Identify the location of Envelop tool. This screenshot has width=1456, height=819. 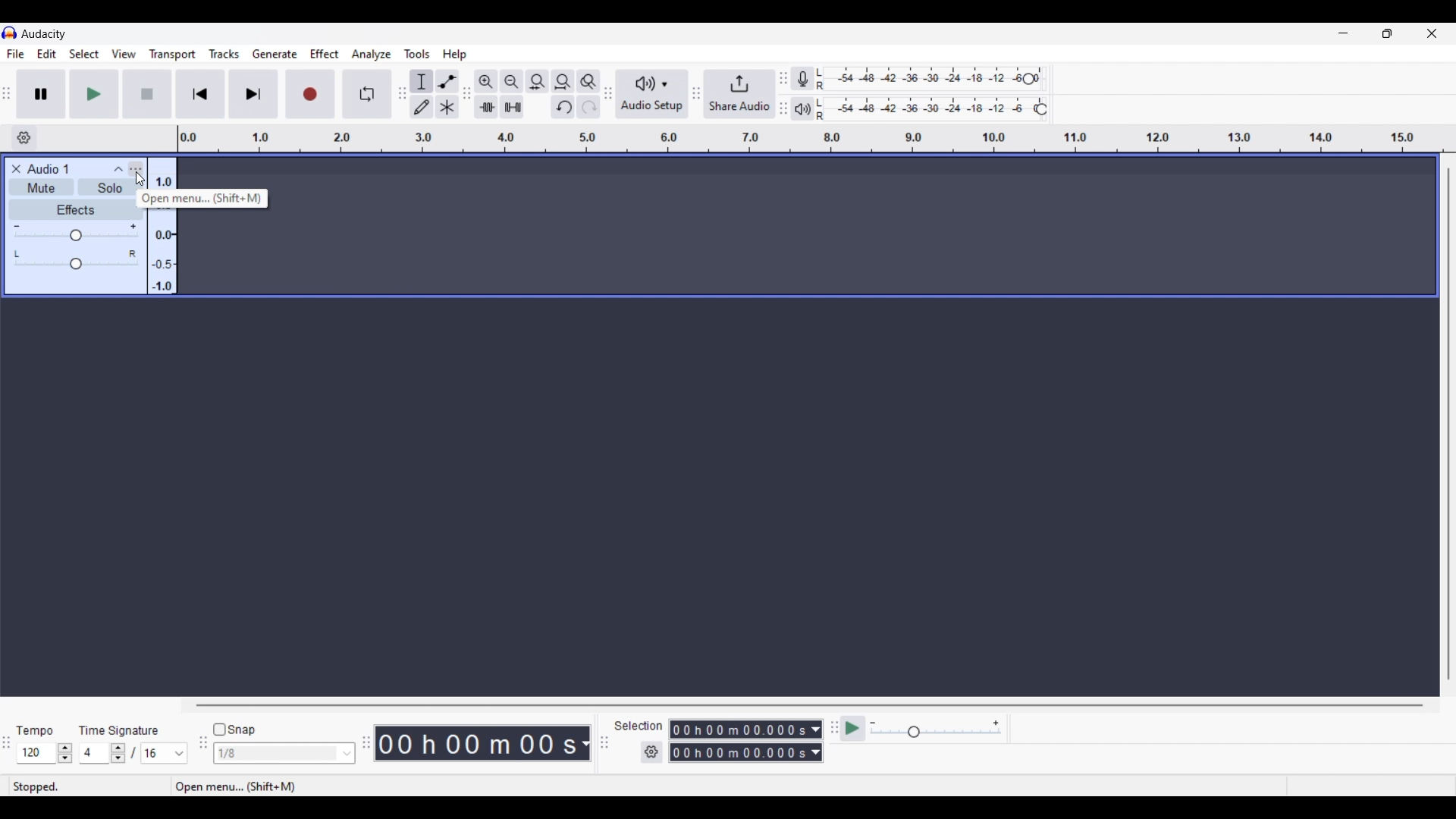
(447, 81).